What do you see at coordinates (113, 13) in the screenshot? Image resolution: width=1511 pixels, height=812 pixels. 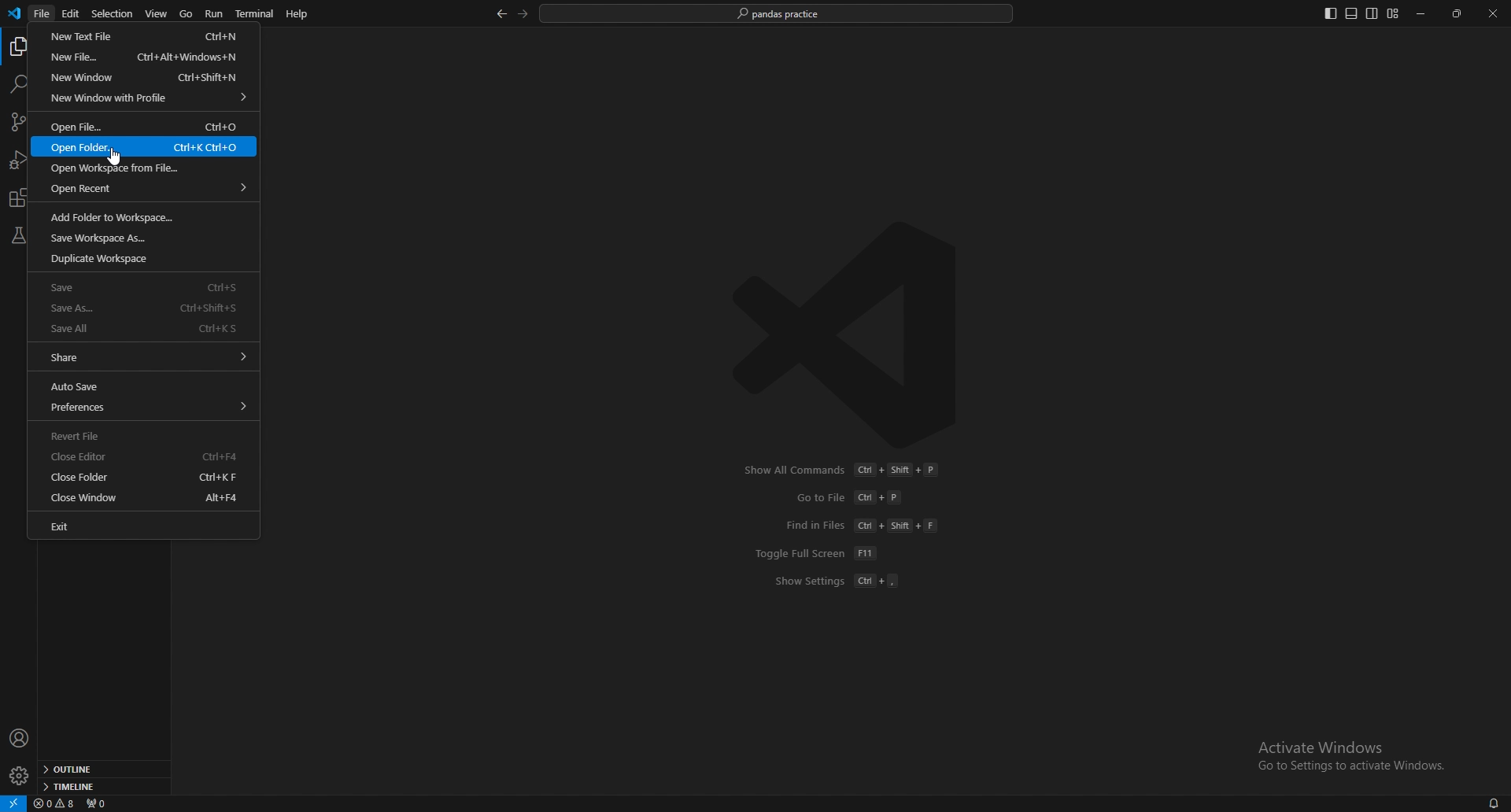 I see `selection` at bounding box center [113, 13].